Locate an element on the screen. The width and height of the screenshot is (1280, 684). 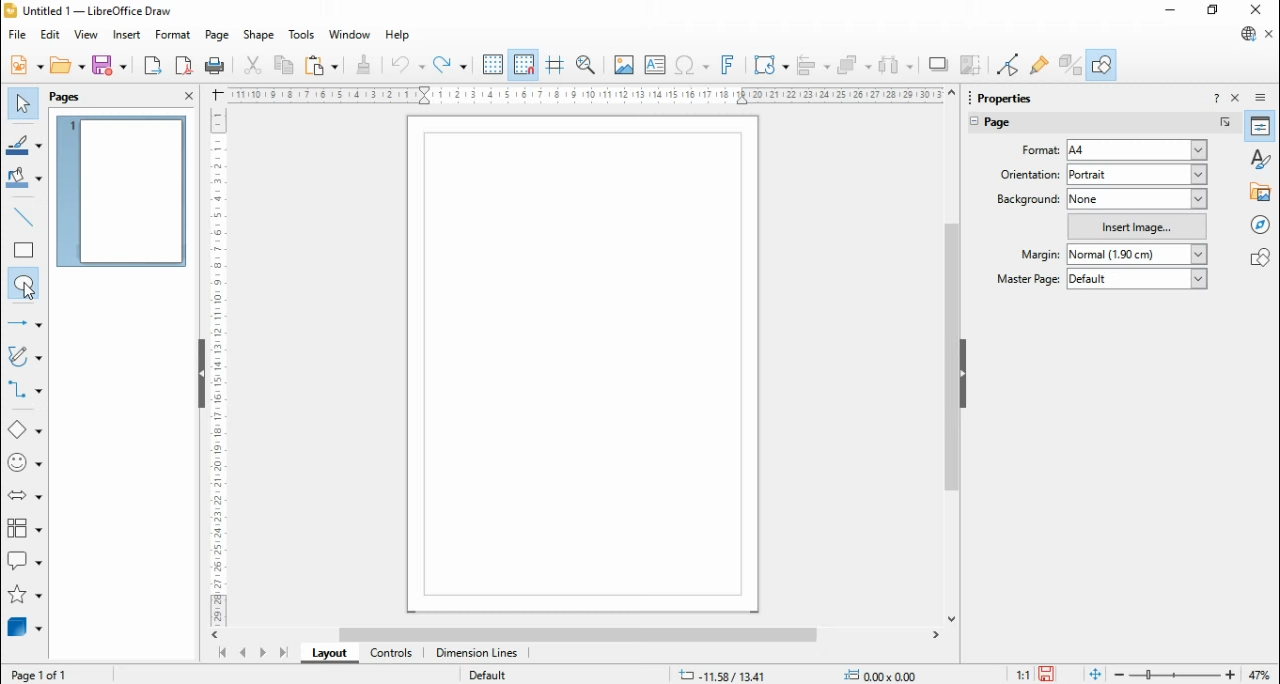
display grid is located at coordinates (492, 66).